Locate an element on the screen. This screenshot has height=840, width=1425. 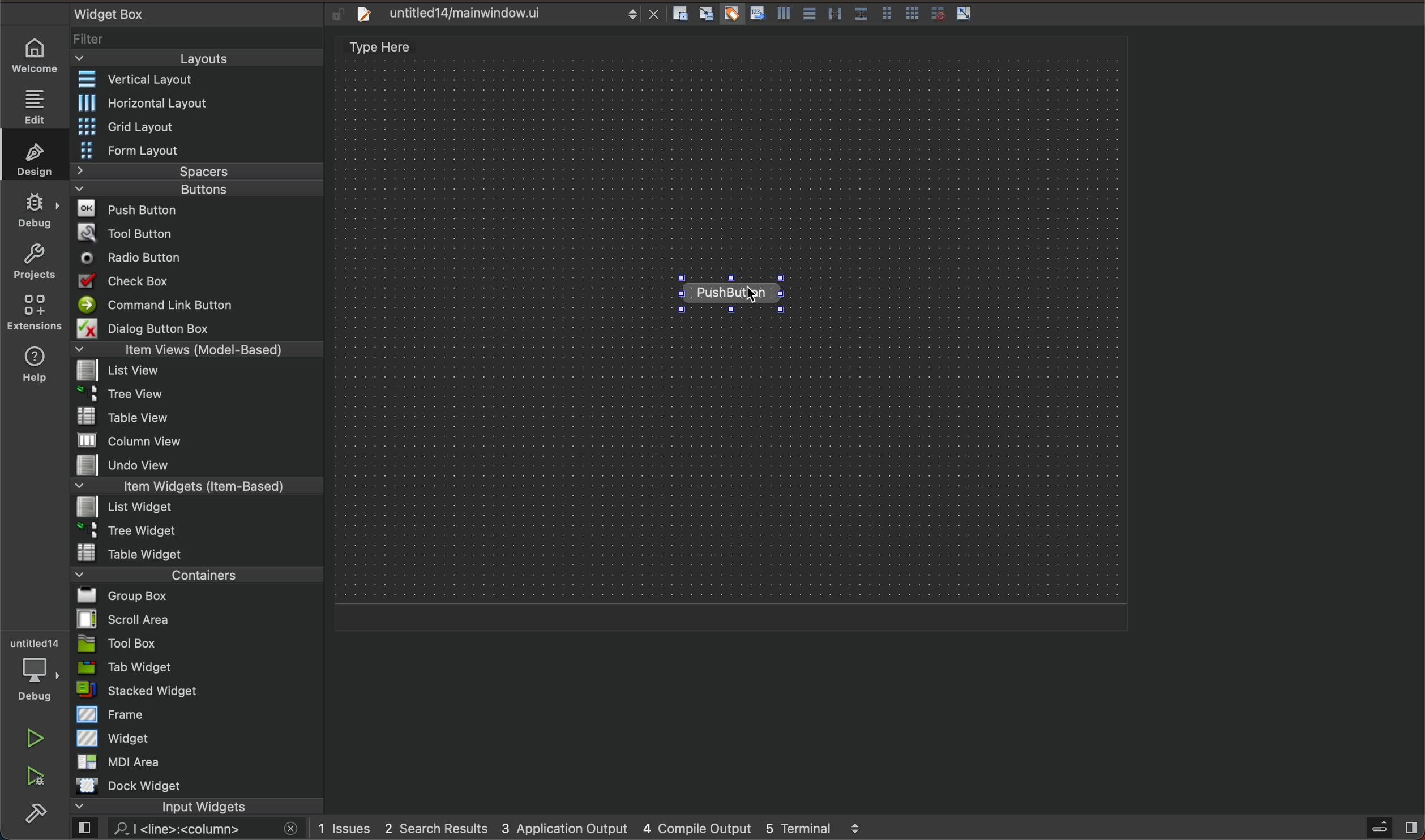
stacked widget is located at coordinates (200, 690).